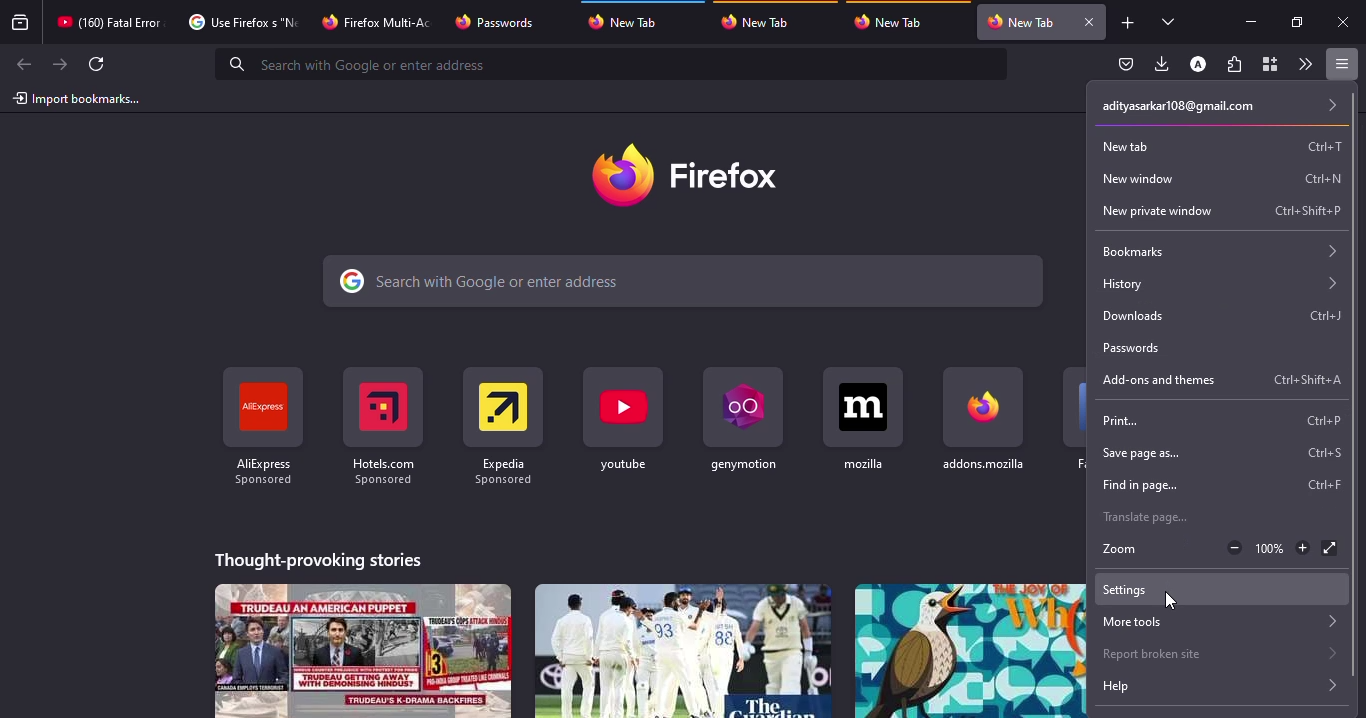  What do you see at coordinates (60, 64) in the screenshot?
I see `forward` at bounding box center [60, 64].